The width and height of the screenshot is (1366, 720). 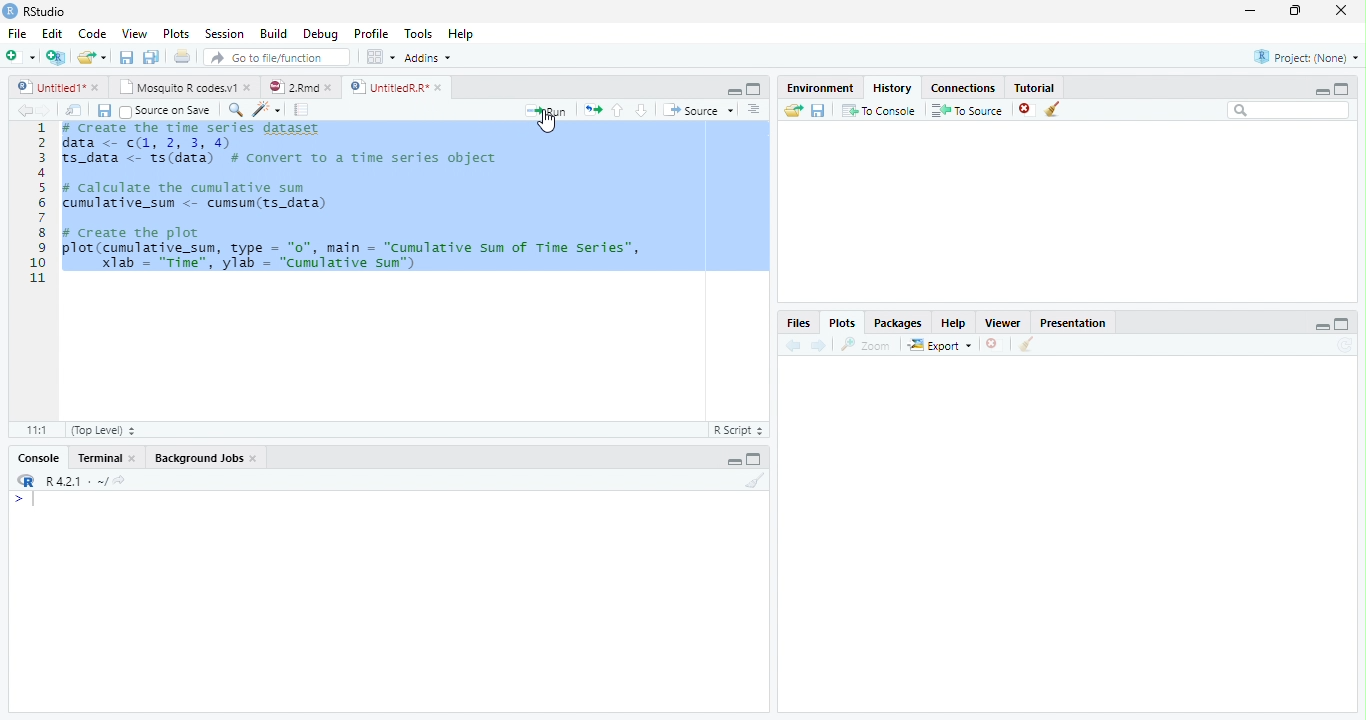 I want to click on Build, so click(x=271, y=35).